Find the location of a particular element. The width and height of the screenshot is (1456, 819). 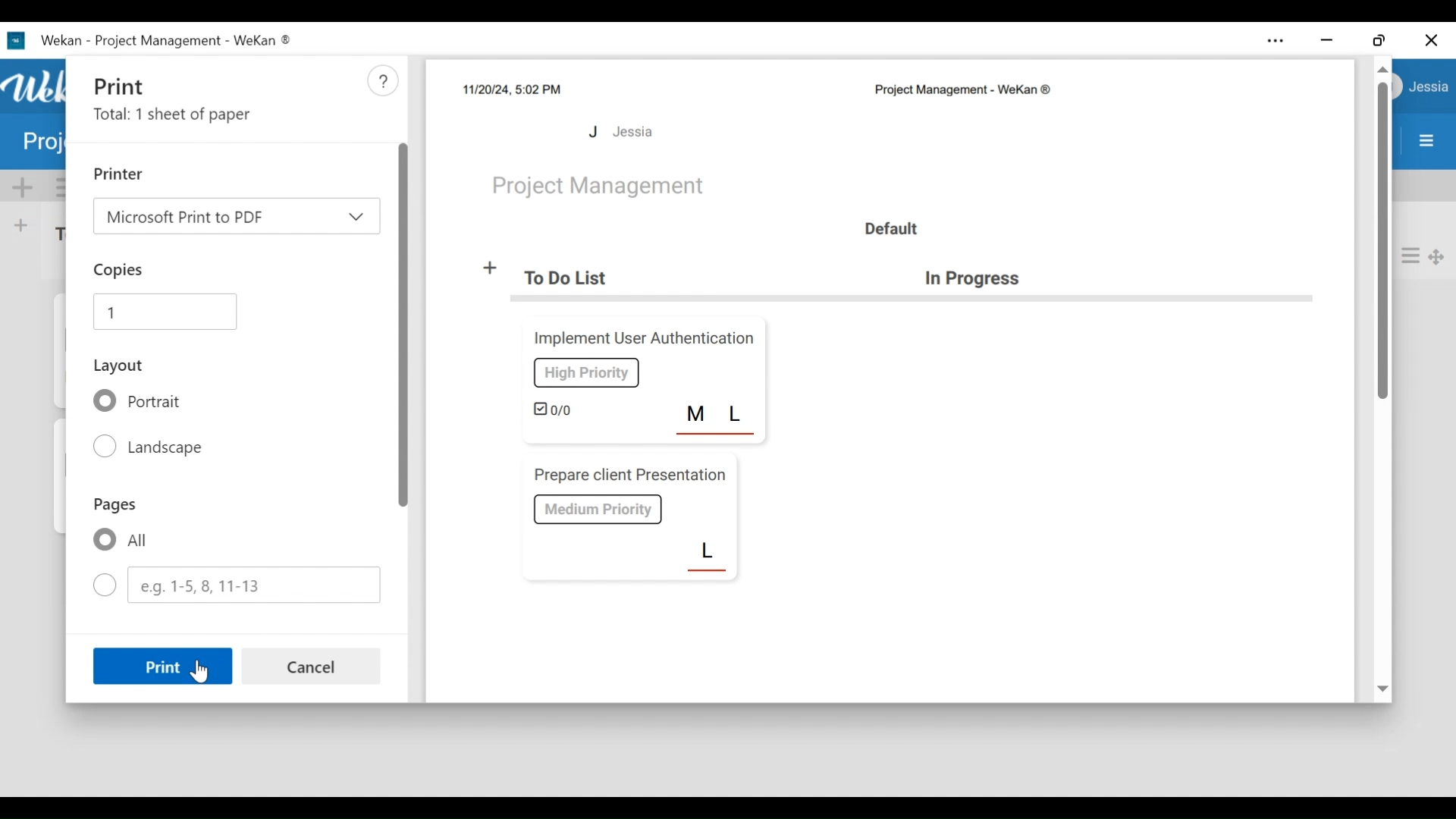

Card title is located at coordinates (627, 475).